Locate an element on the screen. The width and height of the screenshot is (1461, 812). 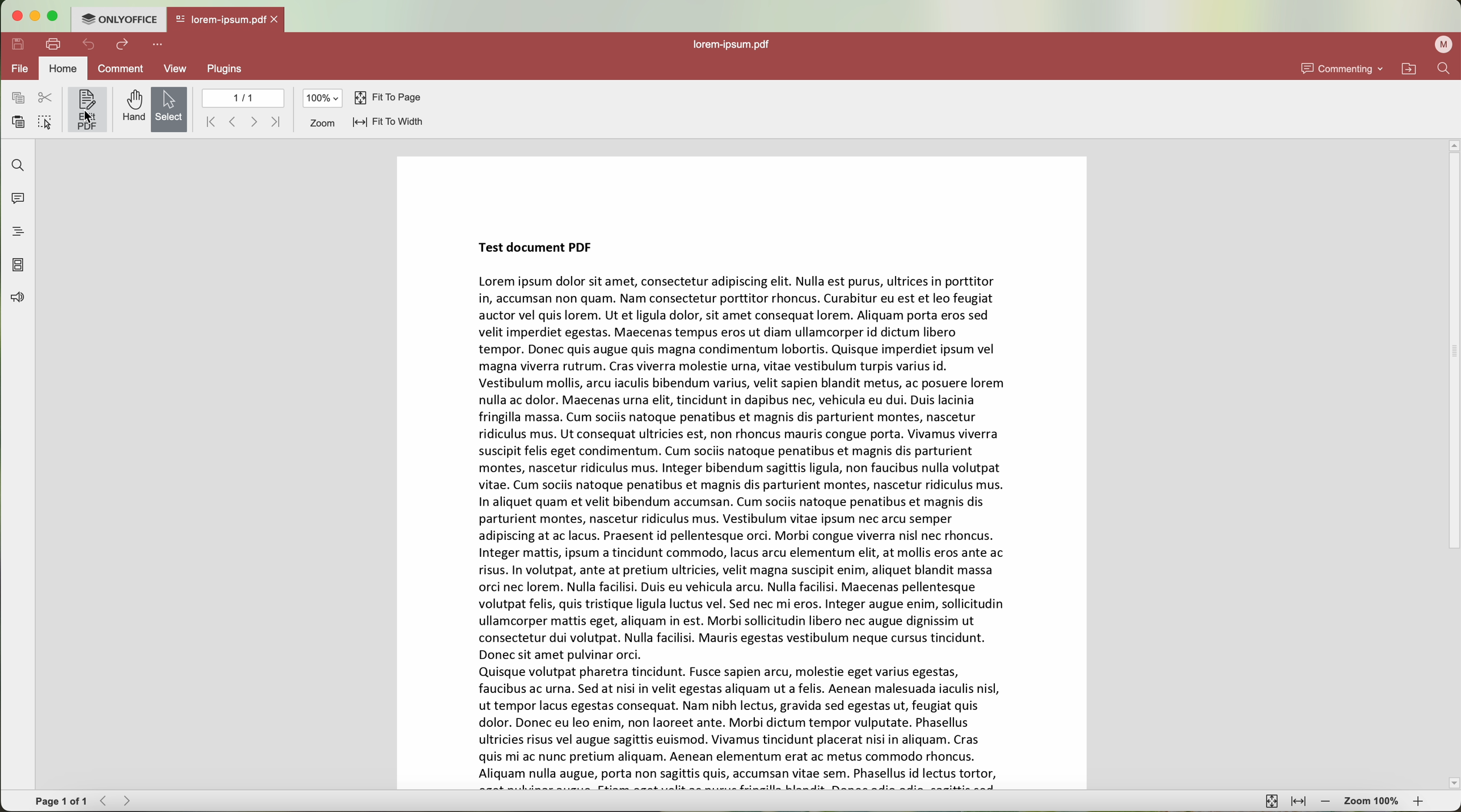
undo is located at coordinates (88, 45).